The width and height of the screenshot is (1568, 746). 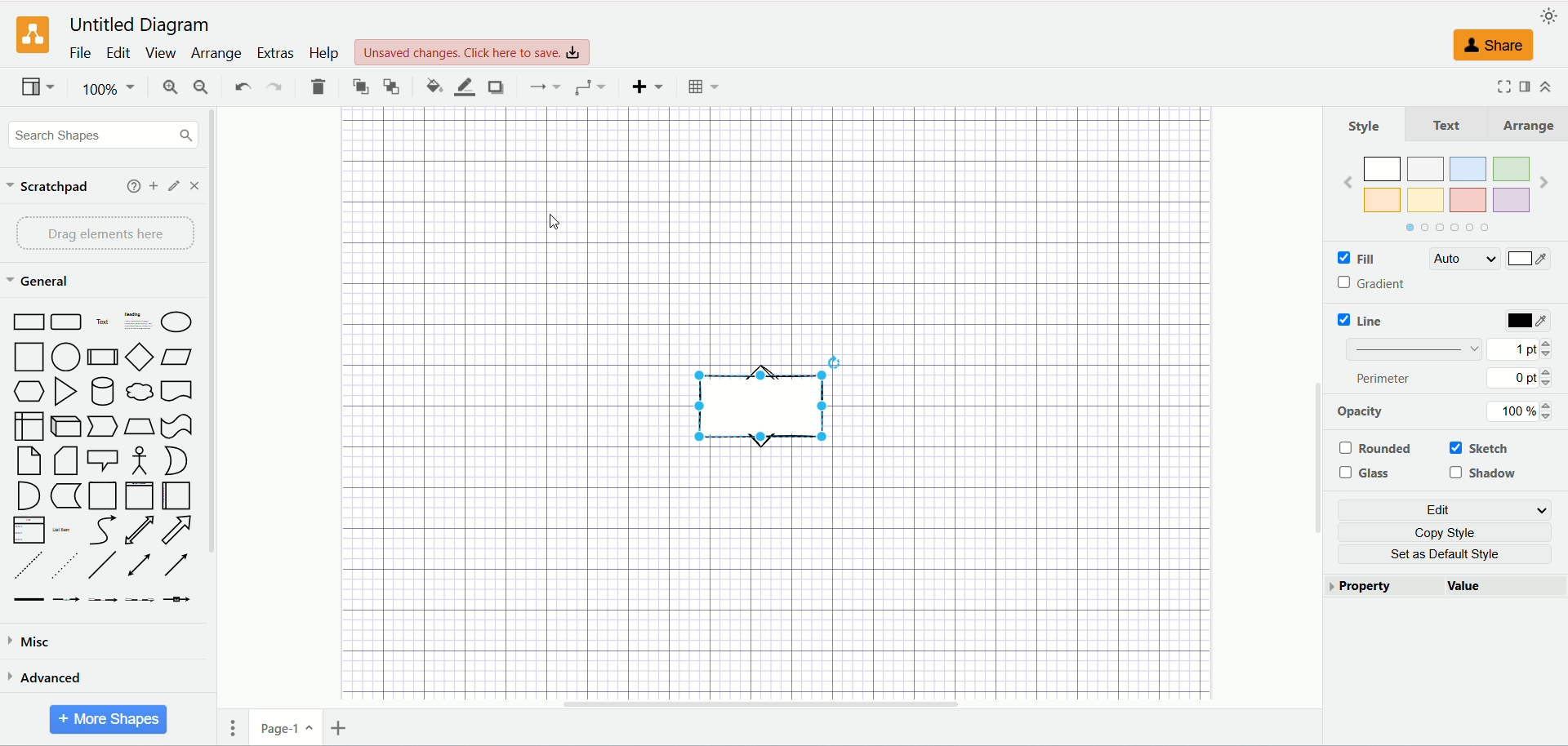 I want to click on shadow, so click(x=497, y=87).